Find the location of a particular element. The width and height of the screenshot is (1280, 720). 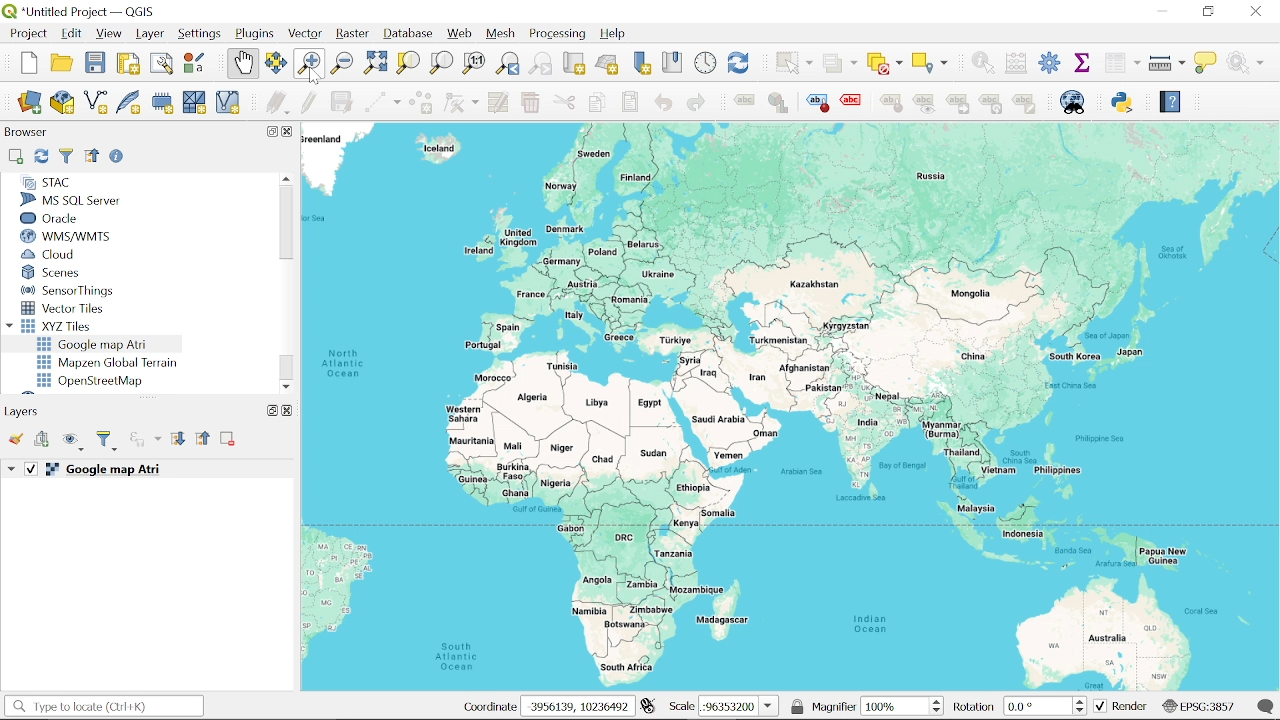

cursor is located at coordinates (314, 79).